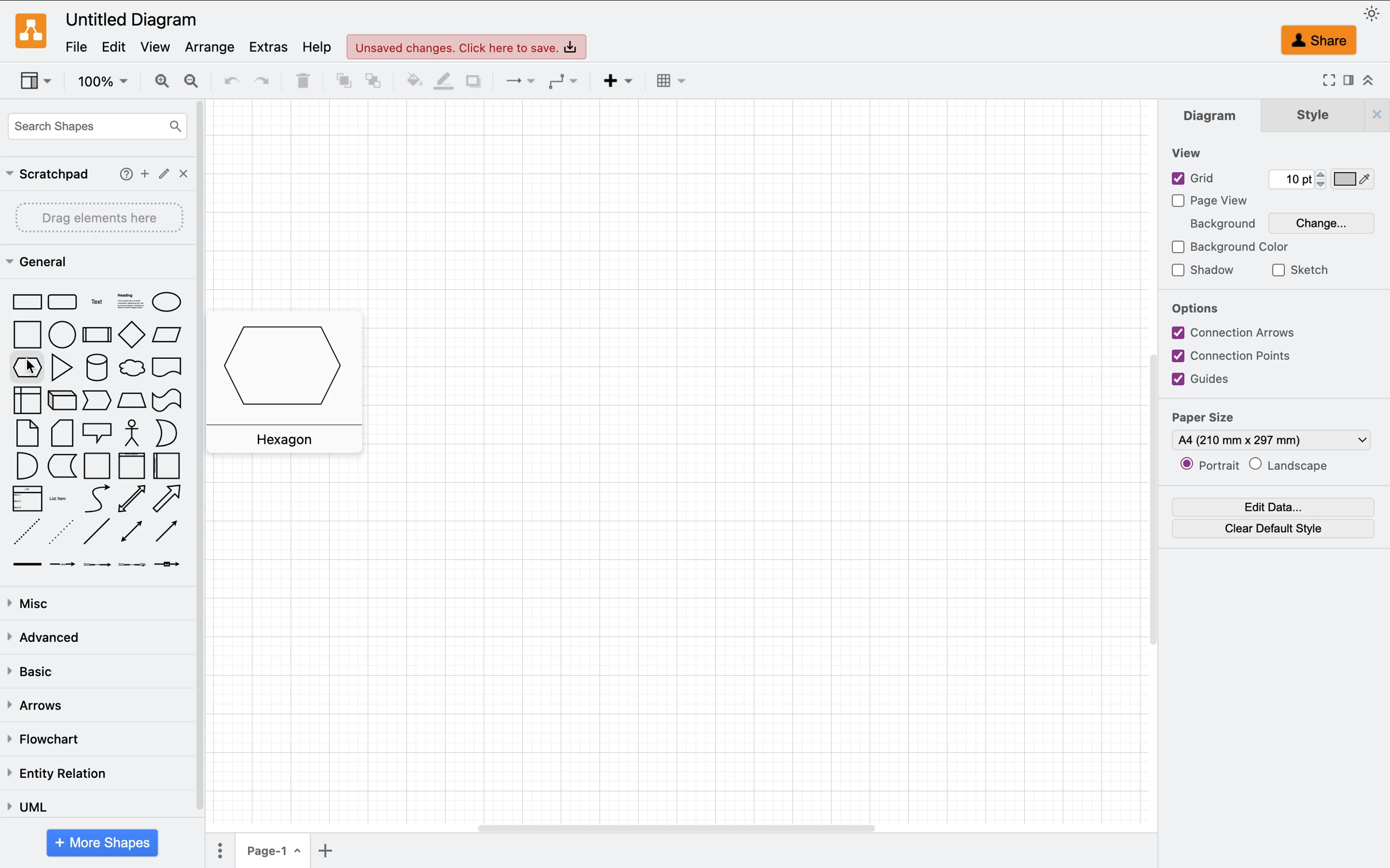 This screenshot has width=1390, height=868. What do you see at coordinates (61, 433) in the screenshot?
I see `card` at bounding box center [61, 433].